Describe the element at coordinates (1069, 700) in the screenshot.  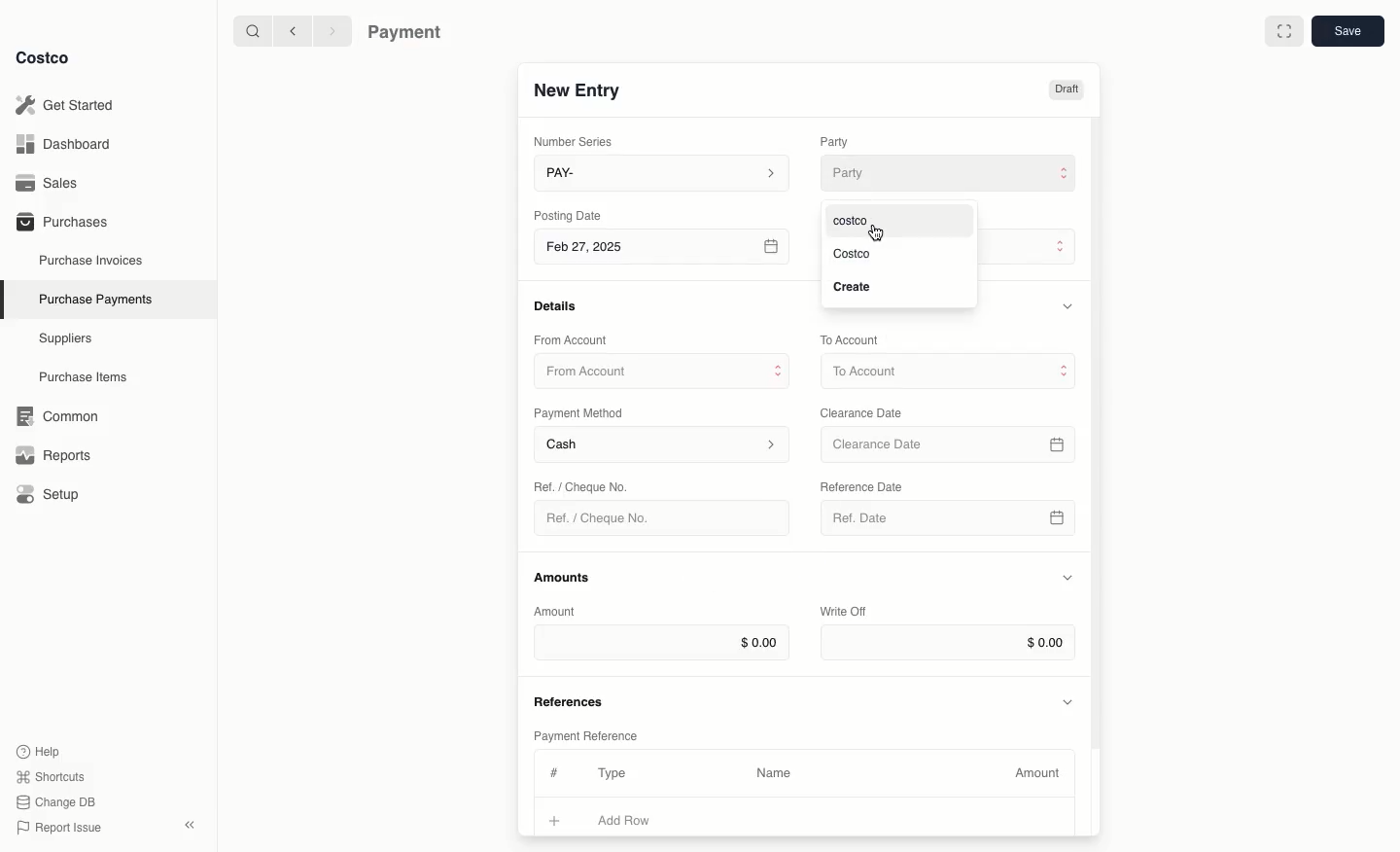
I see `Hide` at that location.